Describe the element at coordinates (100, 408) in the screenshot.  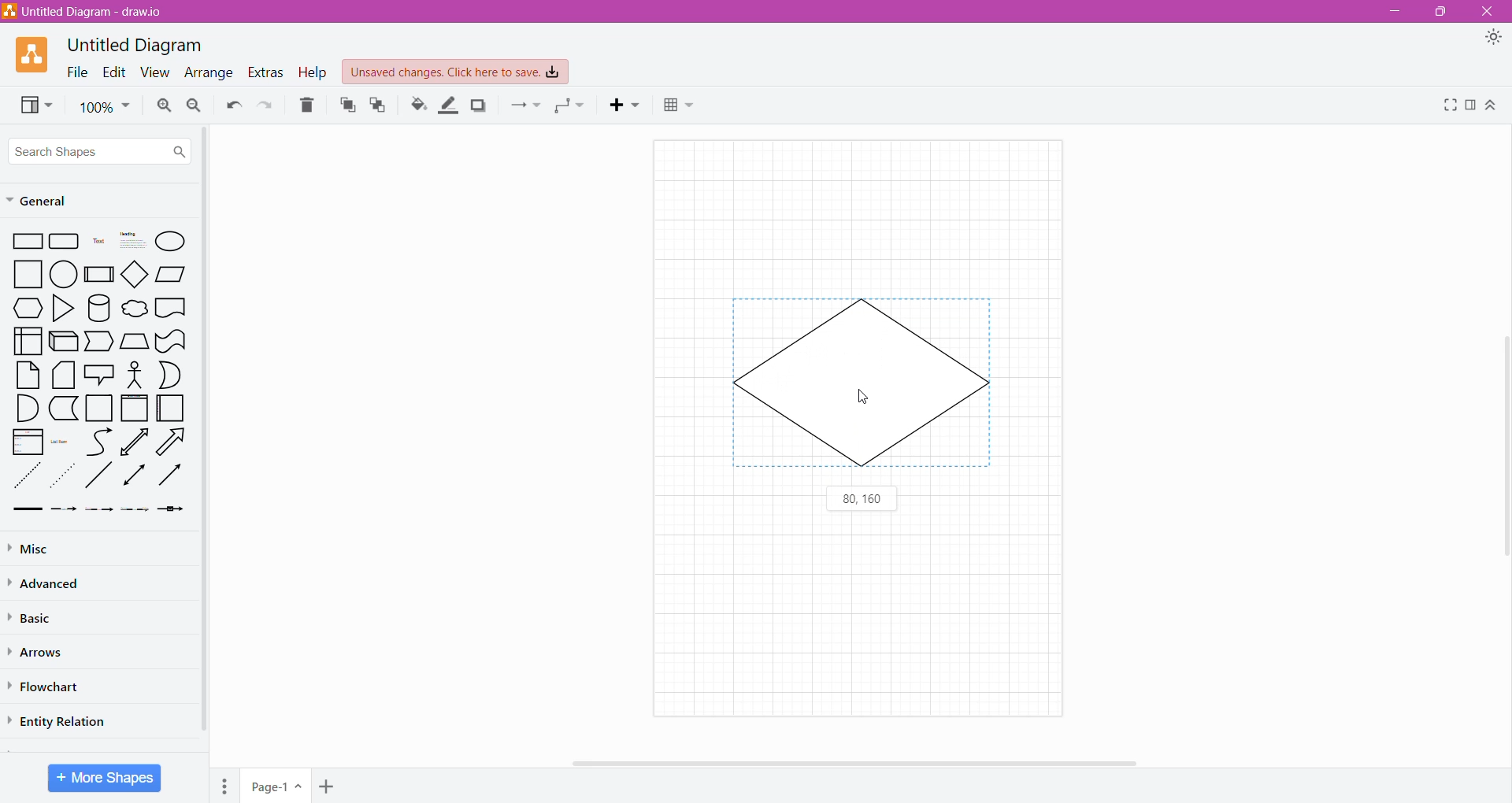
I see `Container` at that location.